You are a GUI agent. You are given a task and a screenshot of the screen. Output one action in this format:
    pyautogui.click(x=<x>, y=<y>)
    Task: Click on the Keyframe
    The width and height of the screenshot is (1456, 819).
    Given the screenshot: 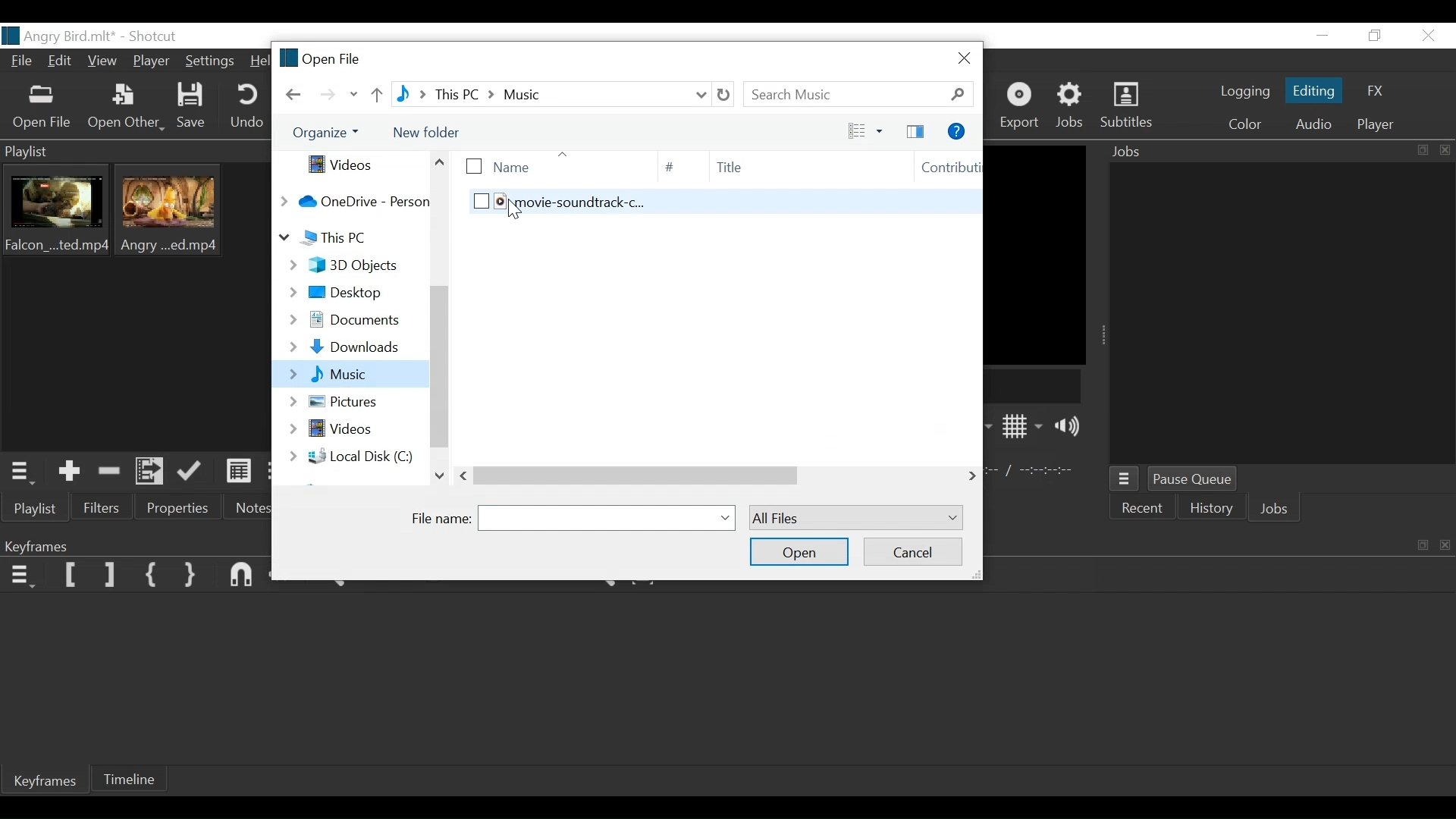 What is the action you would take?
    pyautogui.click(x=42, y=782)
    